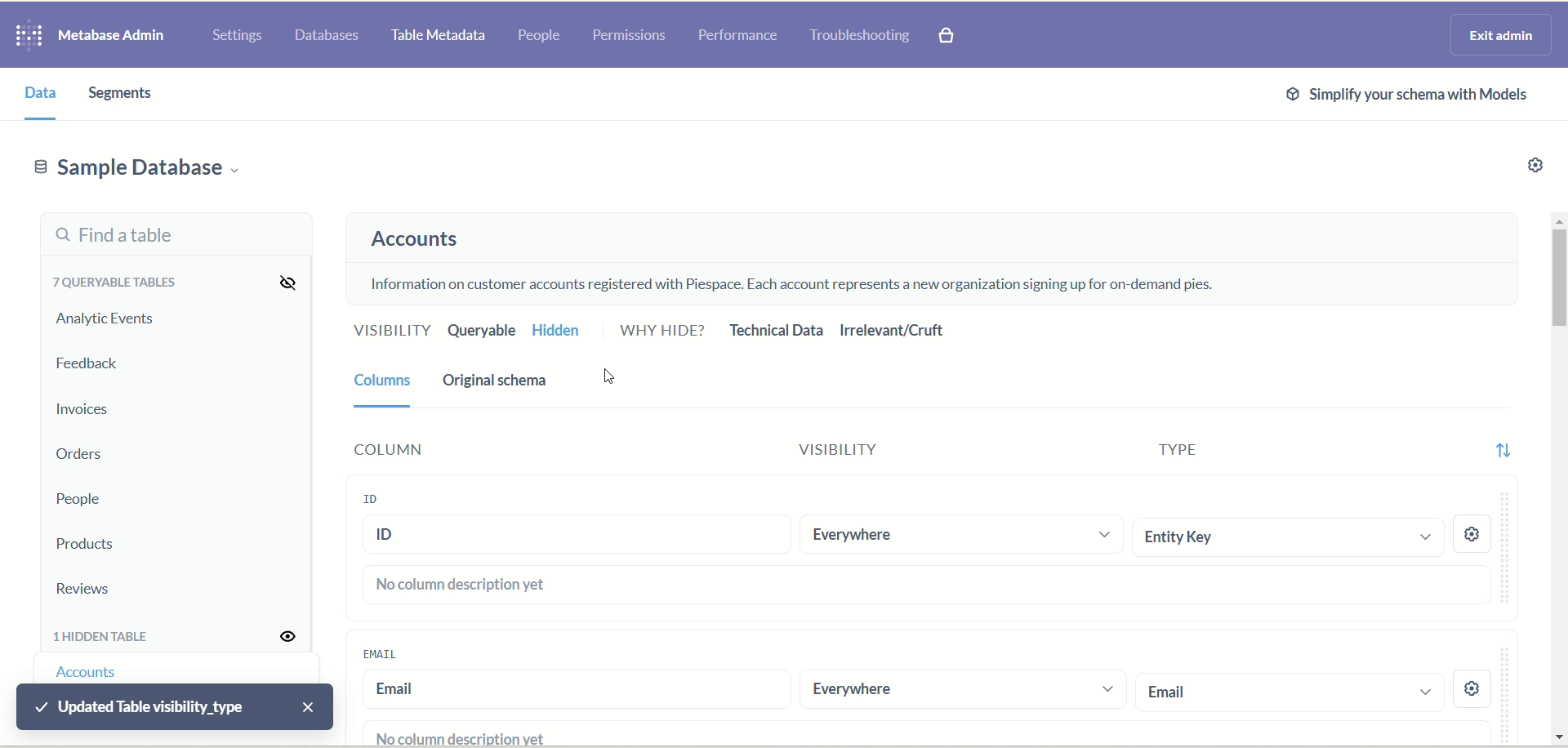 The height and width of the screenshot is (748, 1568). Describe the element at coordinates (924, 448) in the screenshot. I see `visibility label` at that location.